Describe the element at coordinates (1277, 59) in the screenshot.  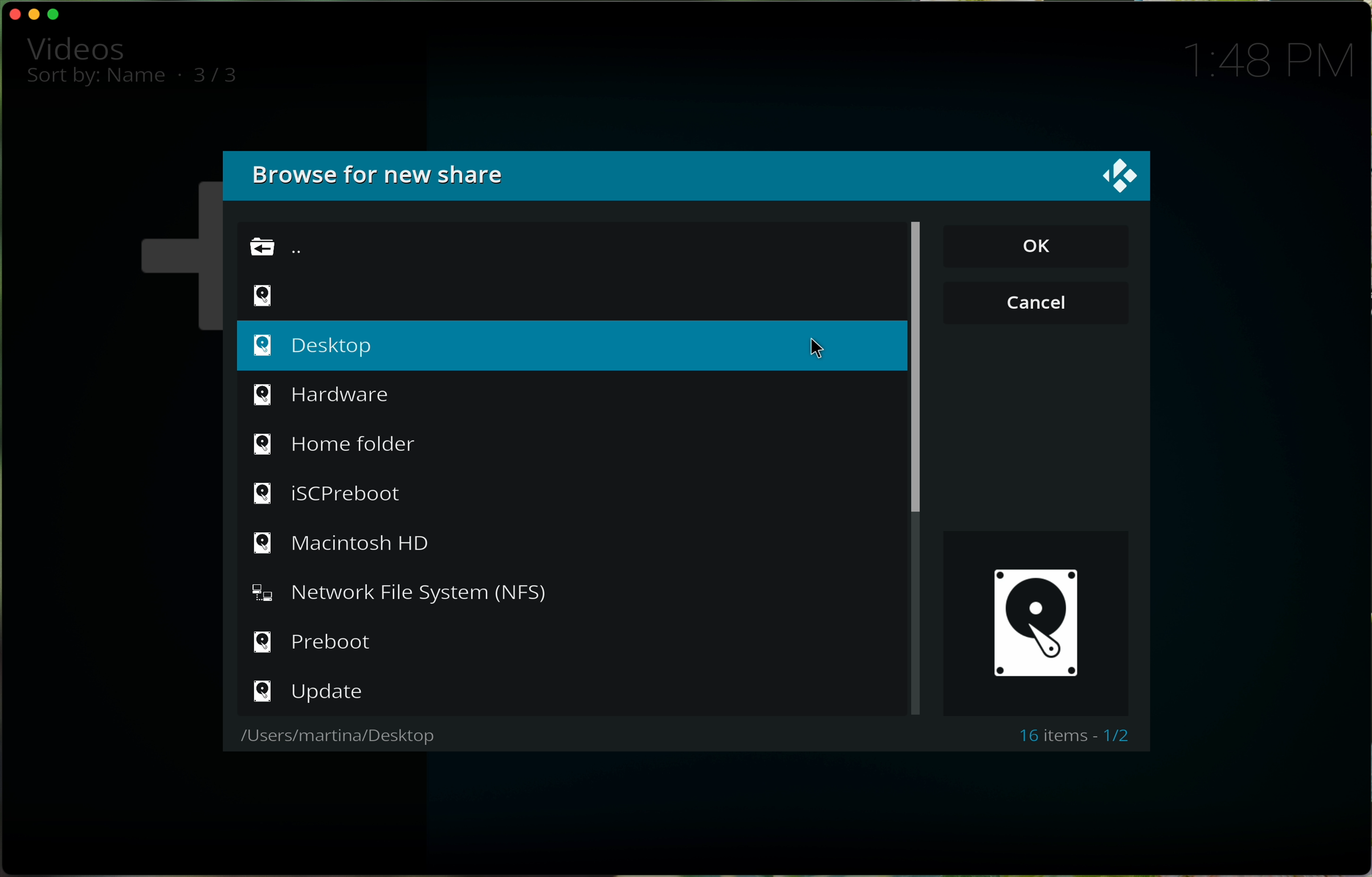
I see `1:48 PM` at that location.